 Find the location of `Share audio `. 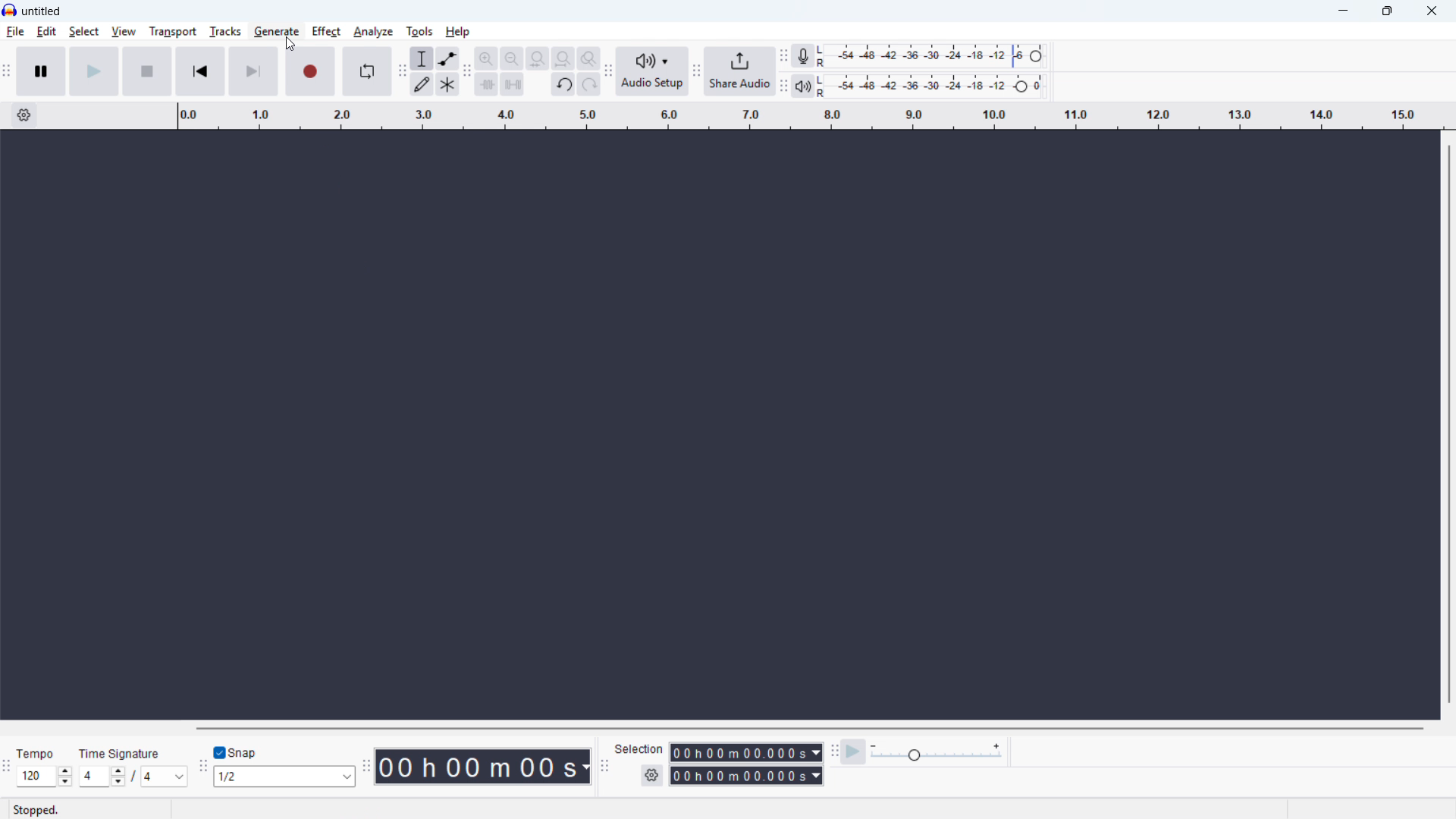

Share audio  is located at coordinates (741, 71).